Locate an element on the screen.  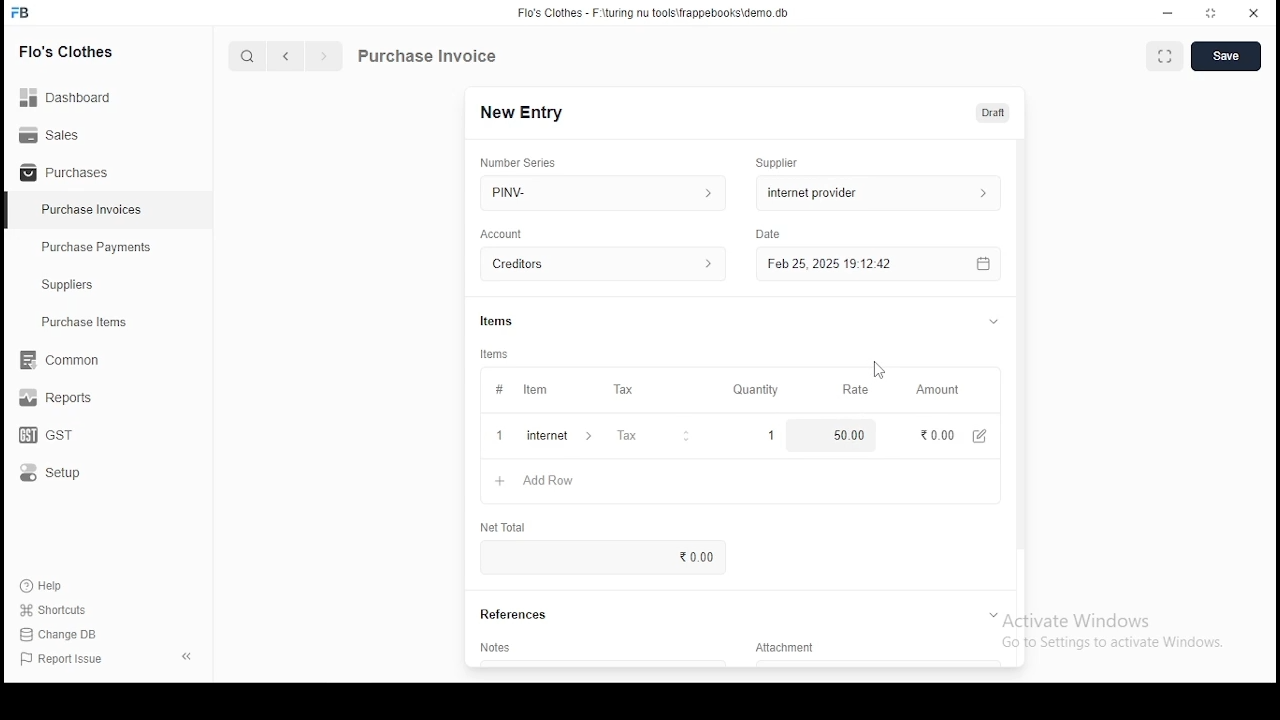
draft is located at coordinates (993, 112).